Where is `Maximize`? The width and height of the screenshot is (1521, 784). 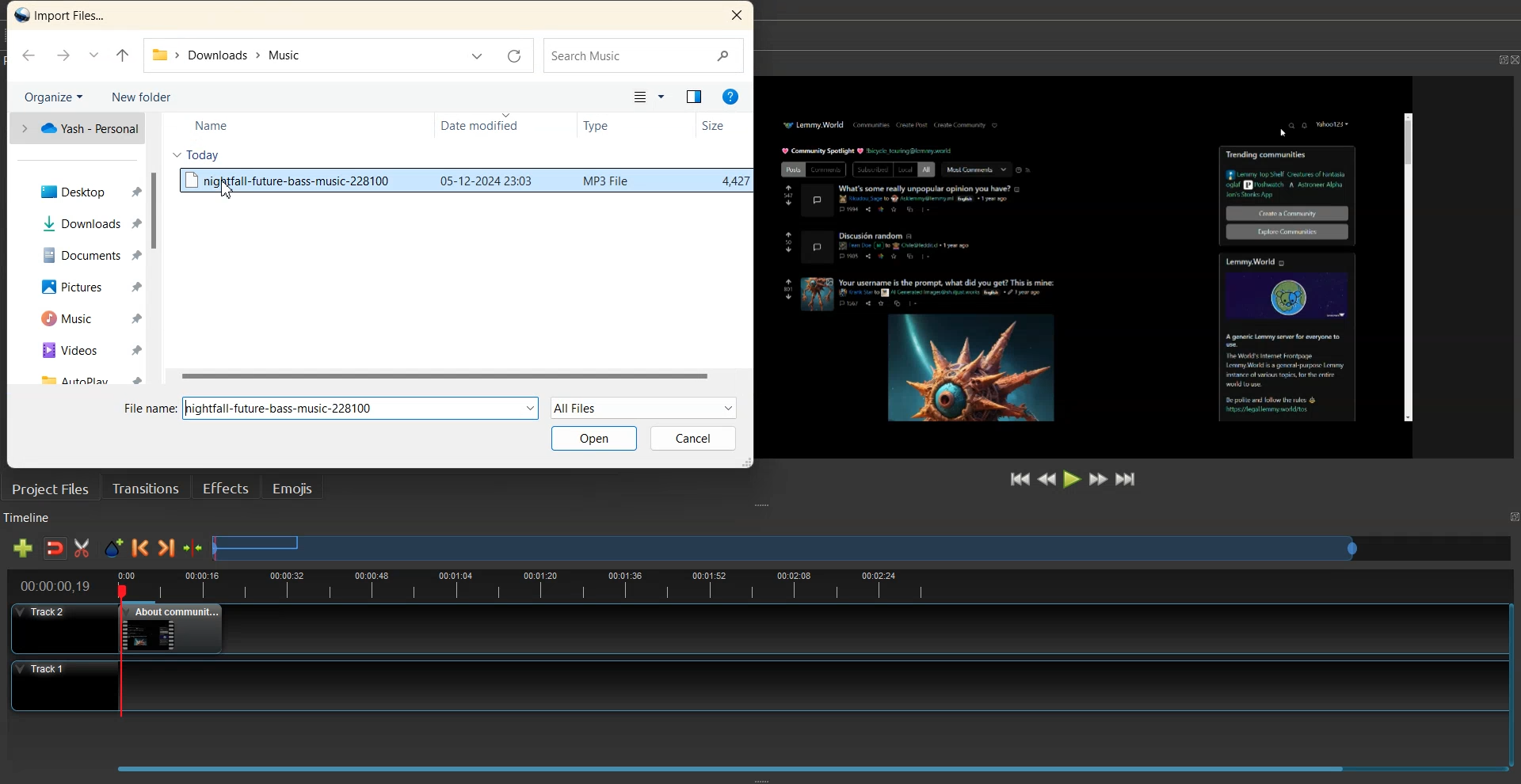
Maximize is located at coordinates (1492, 57).